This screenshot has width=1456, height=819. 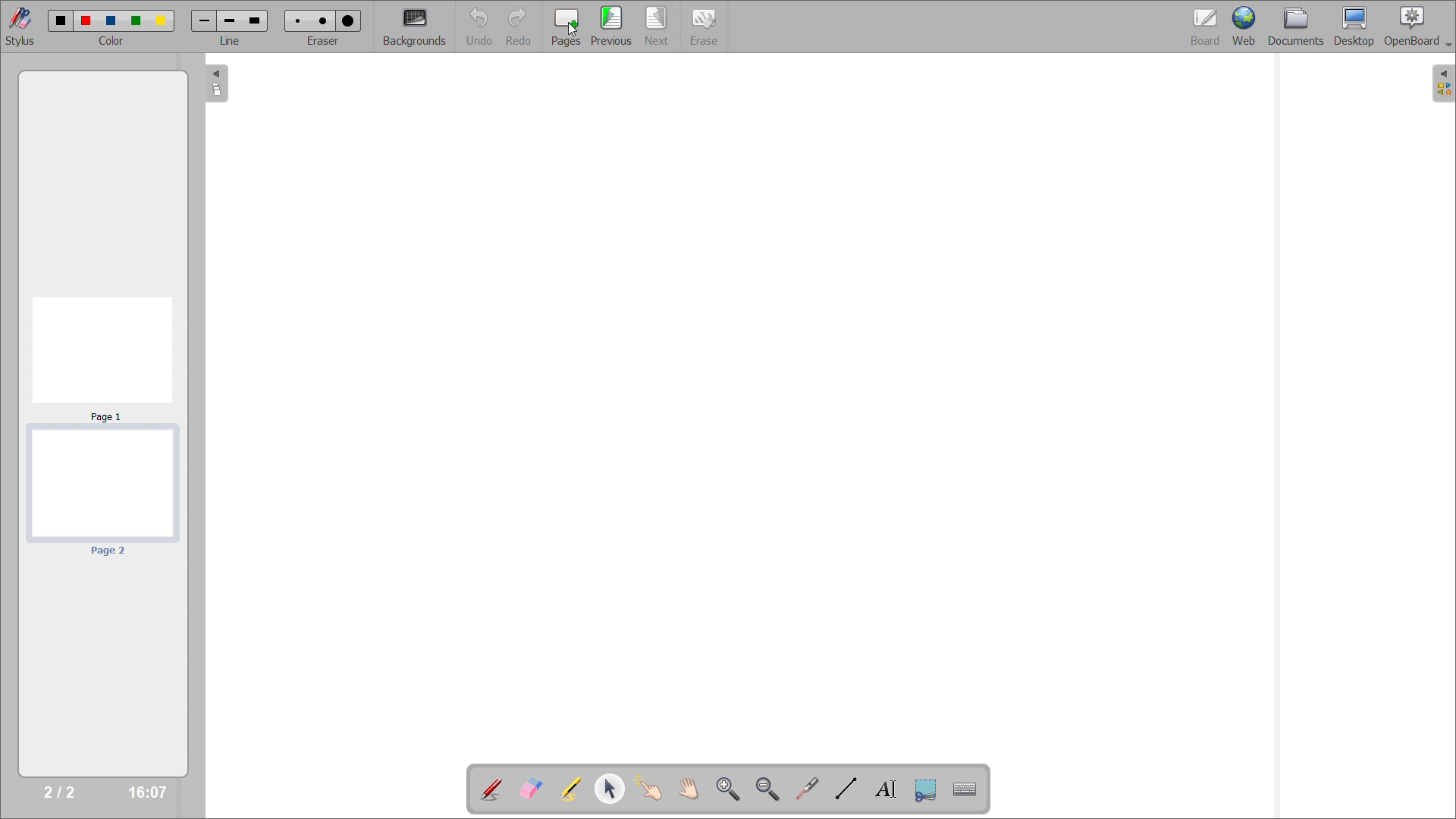 I want to click on page 1, so click(x=108, y=356).